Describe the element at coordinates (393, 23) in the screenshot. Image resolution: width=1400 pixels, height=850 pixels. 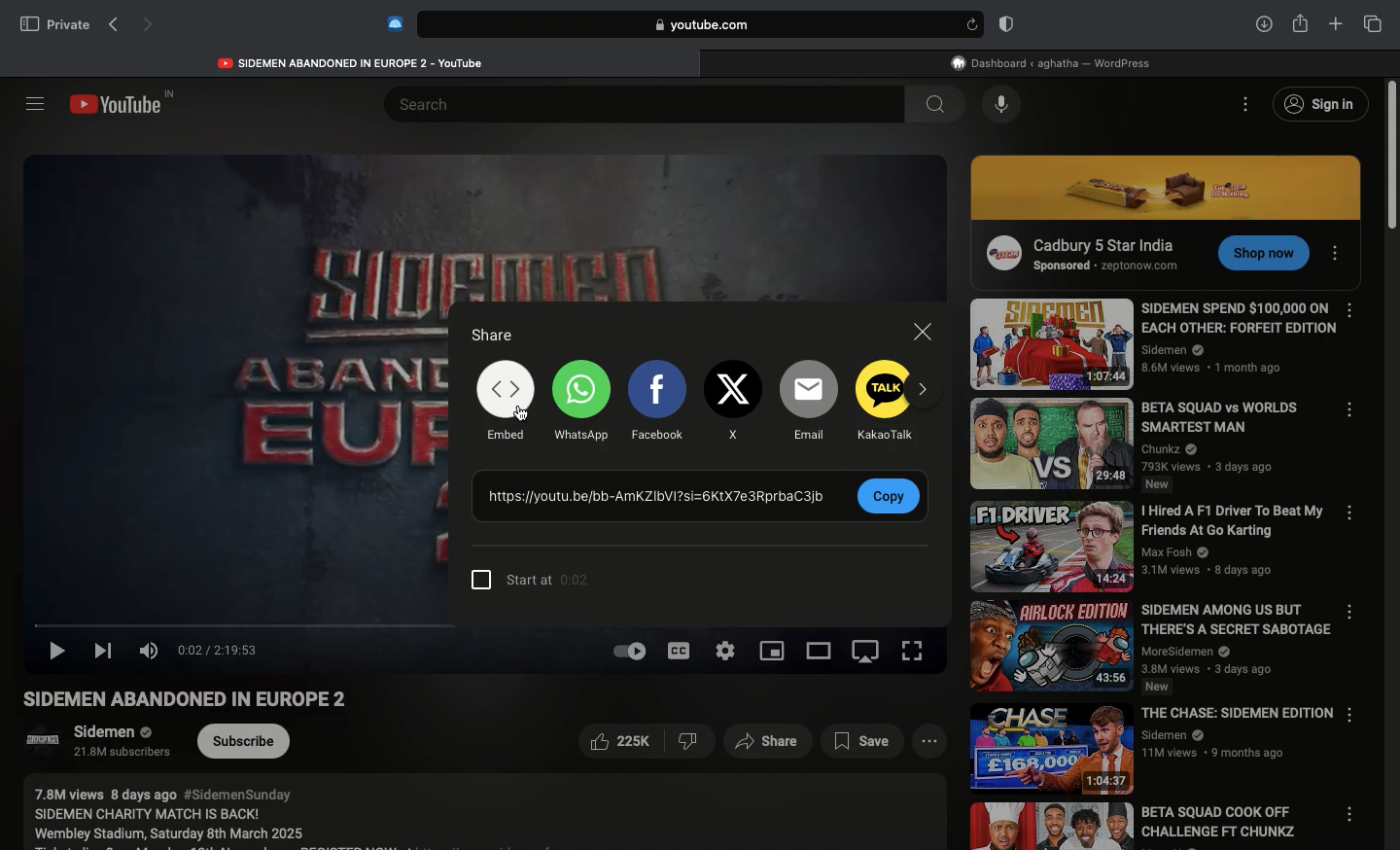
I see `Extensions` at that location.